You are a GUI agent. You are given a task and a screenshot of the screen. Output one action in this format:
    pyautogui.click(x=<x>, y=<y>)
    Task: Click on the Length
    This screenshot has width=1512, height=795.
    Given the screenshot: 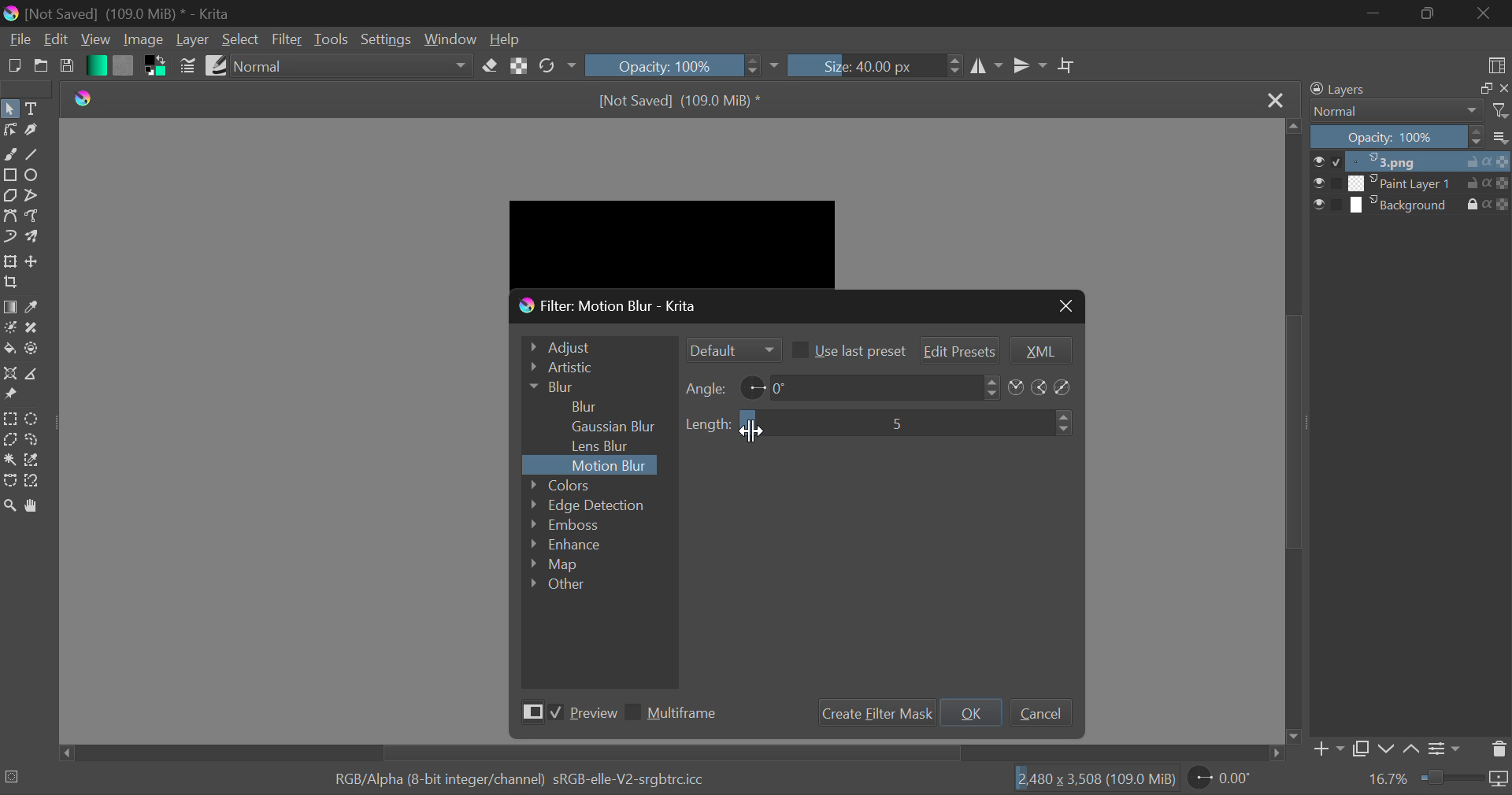 What is the action you would take?
    pyautogui.click(x=709, y=424)
    